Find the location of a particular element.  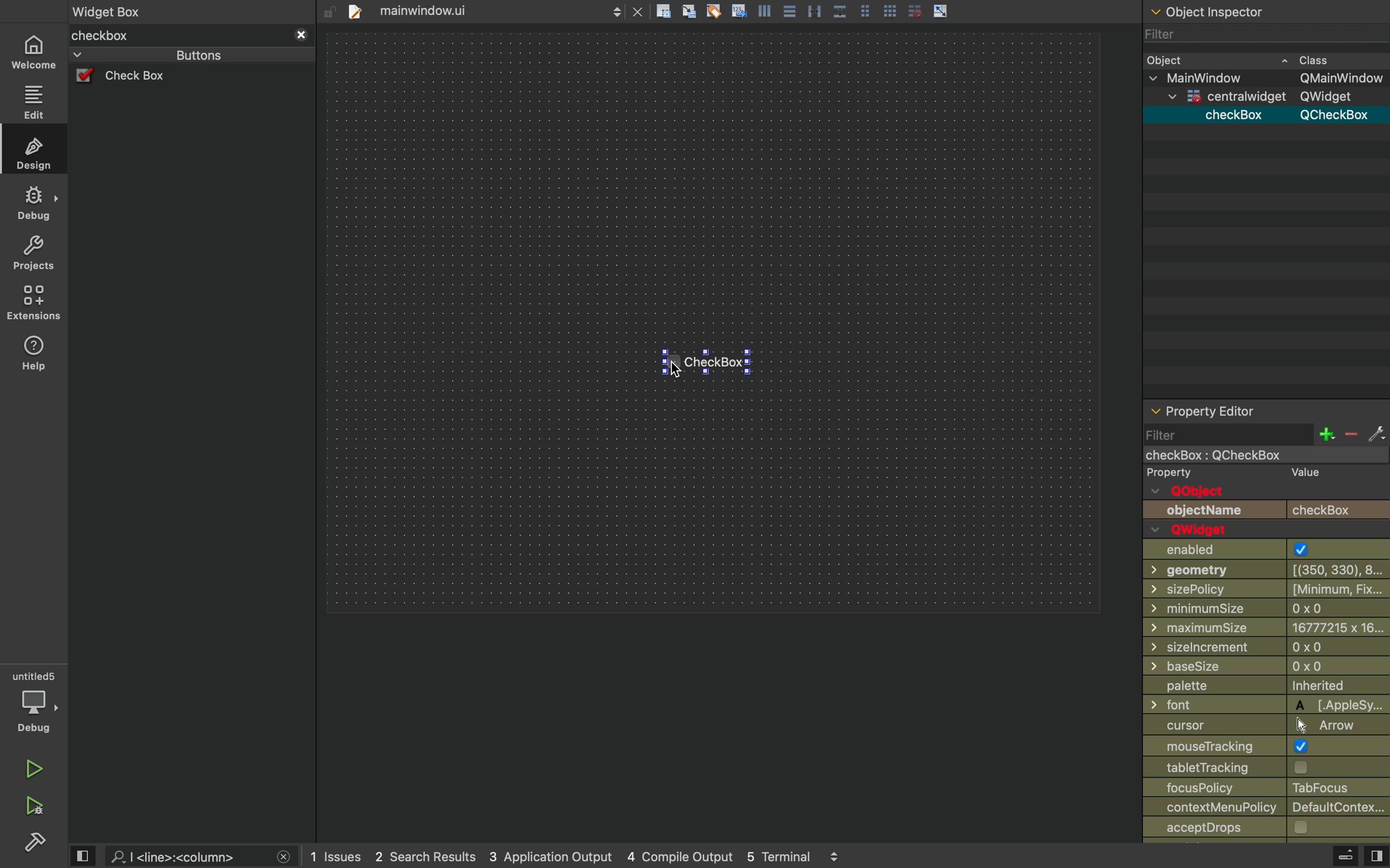

checkBox.   QCheckBox is located at coordinates (1284, 115).